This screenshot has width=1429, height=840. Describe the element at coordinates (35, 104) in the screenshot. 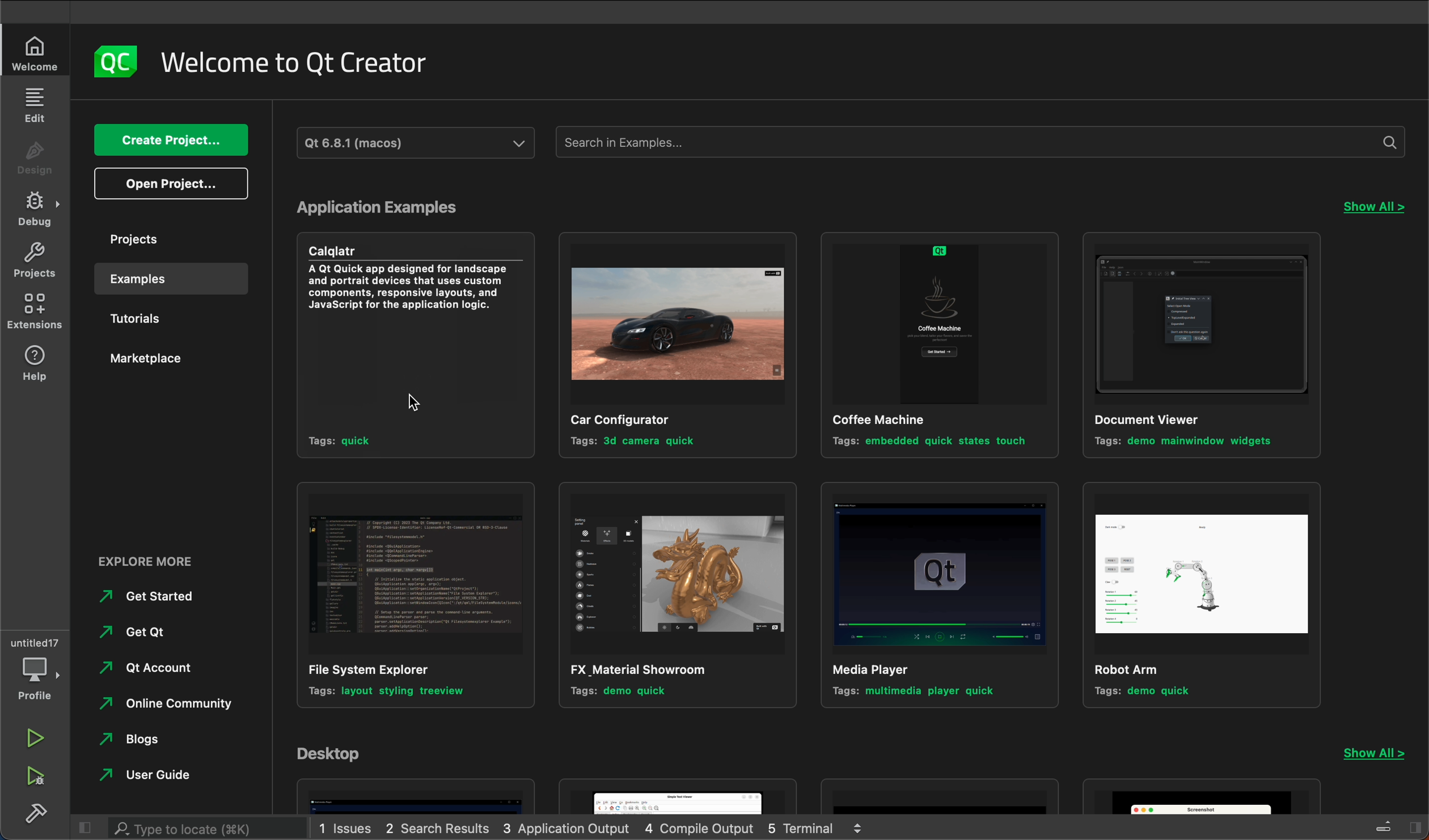

I see `edit` at that location.